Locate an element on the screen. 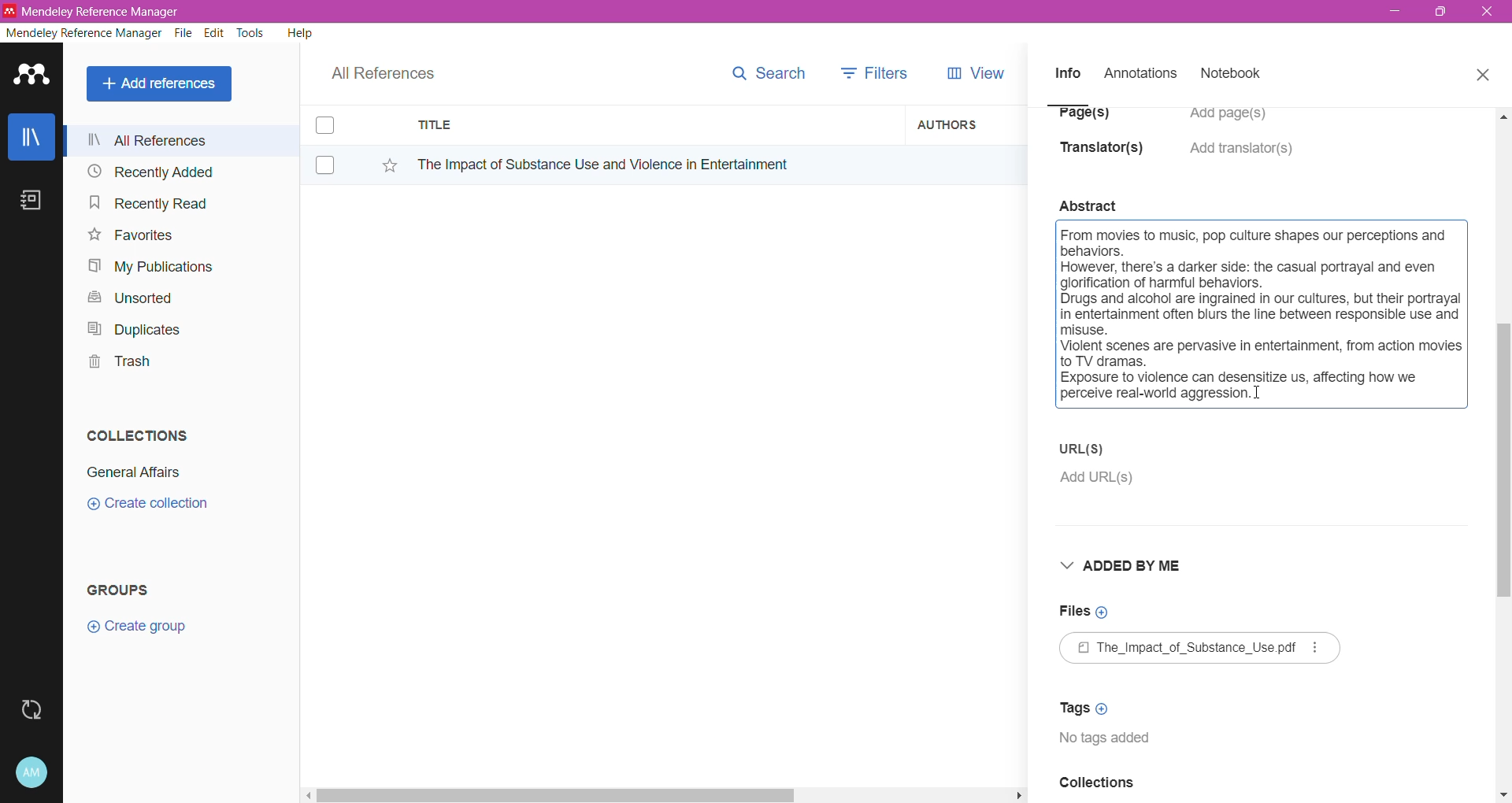 This screenshot has height=803, width=1512. Click to Add Files is located at coordinates (1083, 612).